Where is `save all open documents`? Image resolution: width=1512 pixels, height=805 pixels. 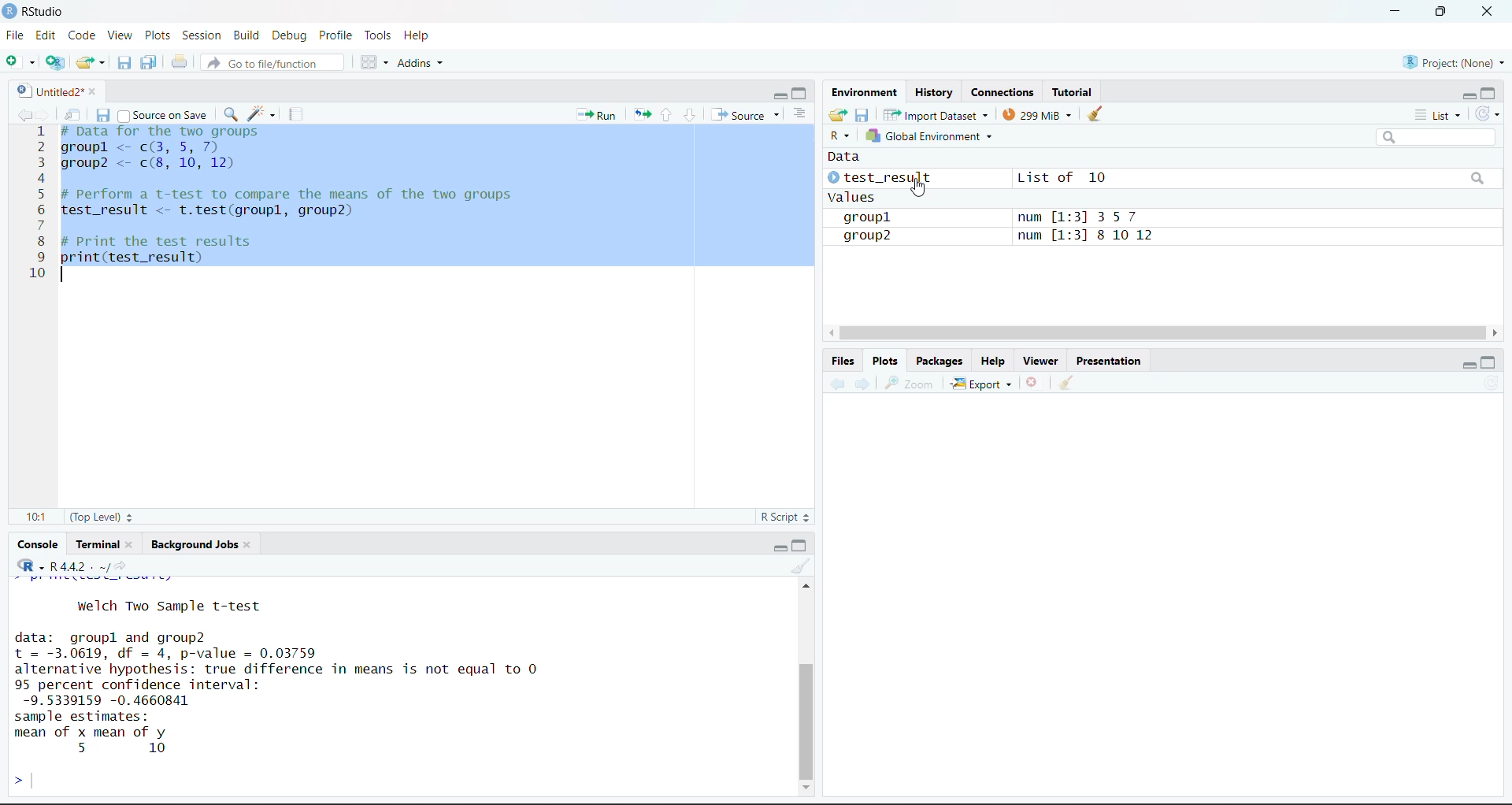 save all open documents is located at coordinates (148, 61).